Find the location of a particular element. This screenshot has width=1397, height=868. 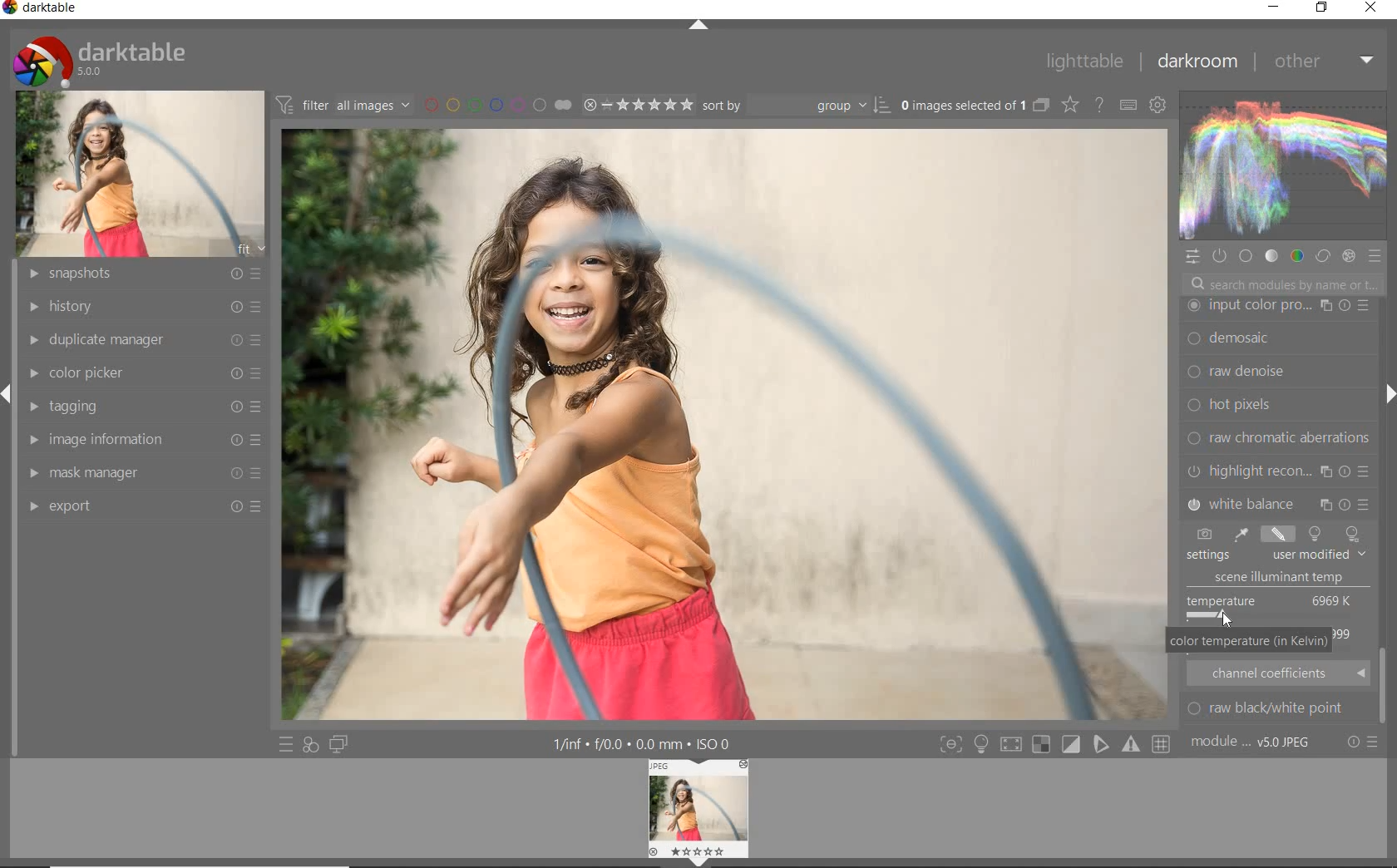

quick access panel is located at coordinates (1193, 257).